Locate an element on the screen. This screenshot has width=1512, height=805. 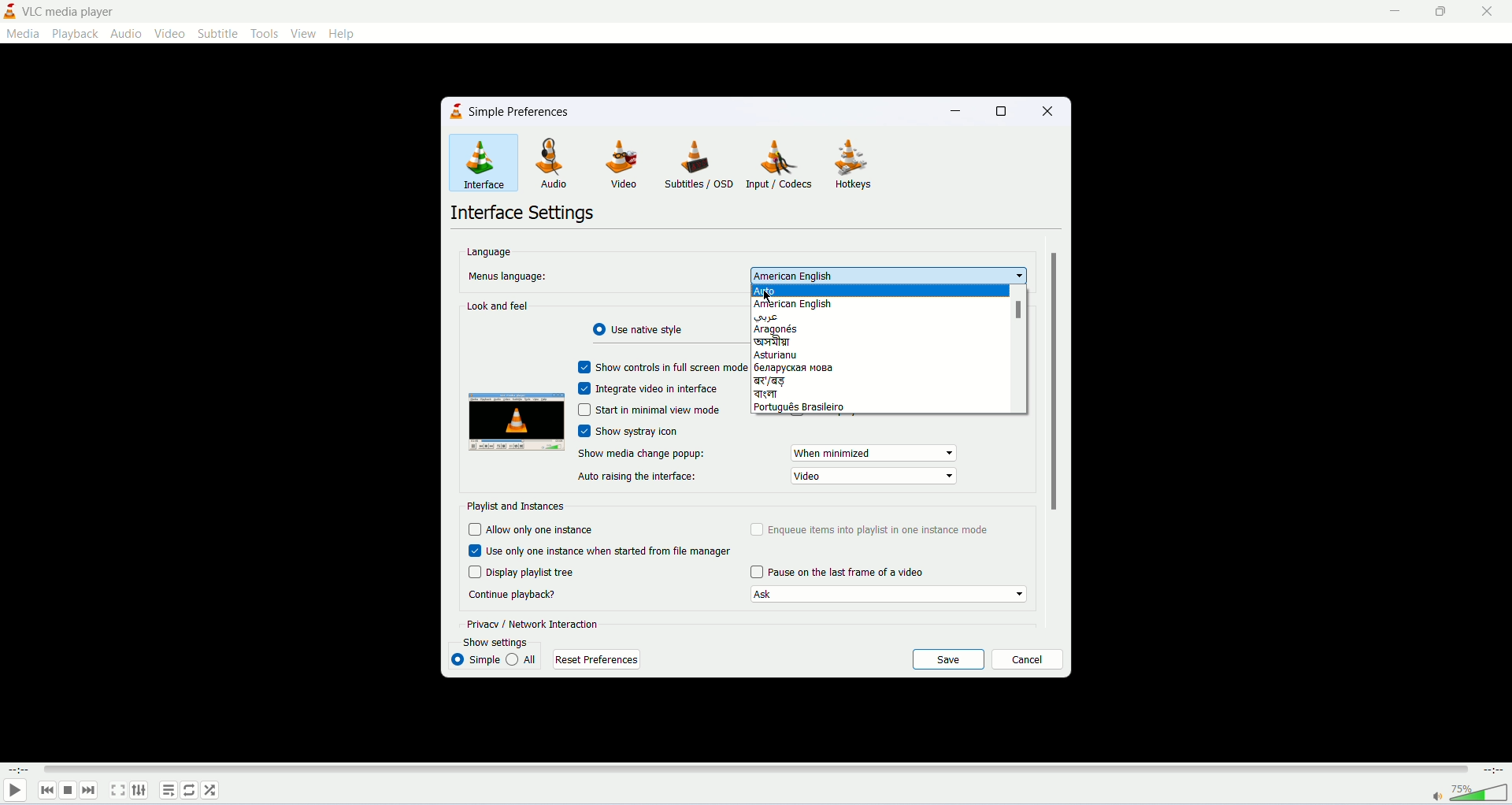
shuffle is located at coordinates (210, 789).